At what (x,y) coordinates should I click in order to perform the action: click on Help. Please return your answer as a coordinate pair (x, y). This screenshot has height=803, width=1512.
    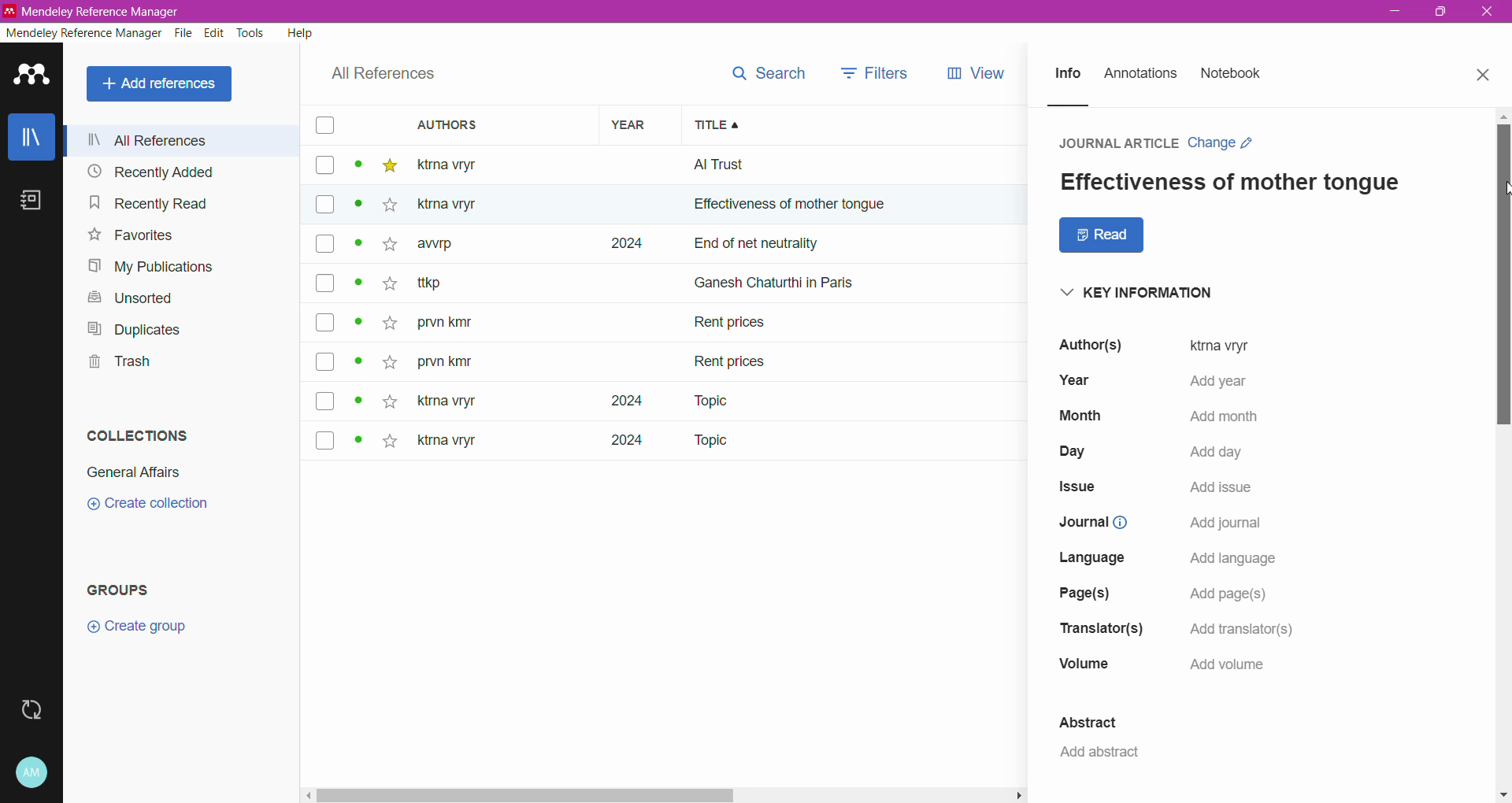
    Looking at the image, I should click on (301, 32).